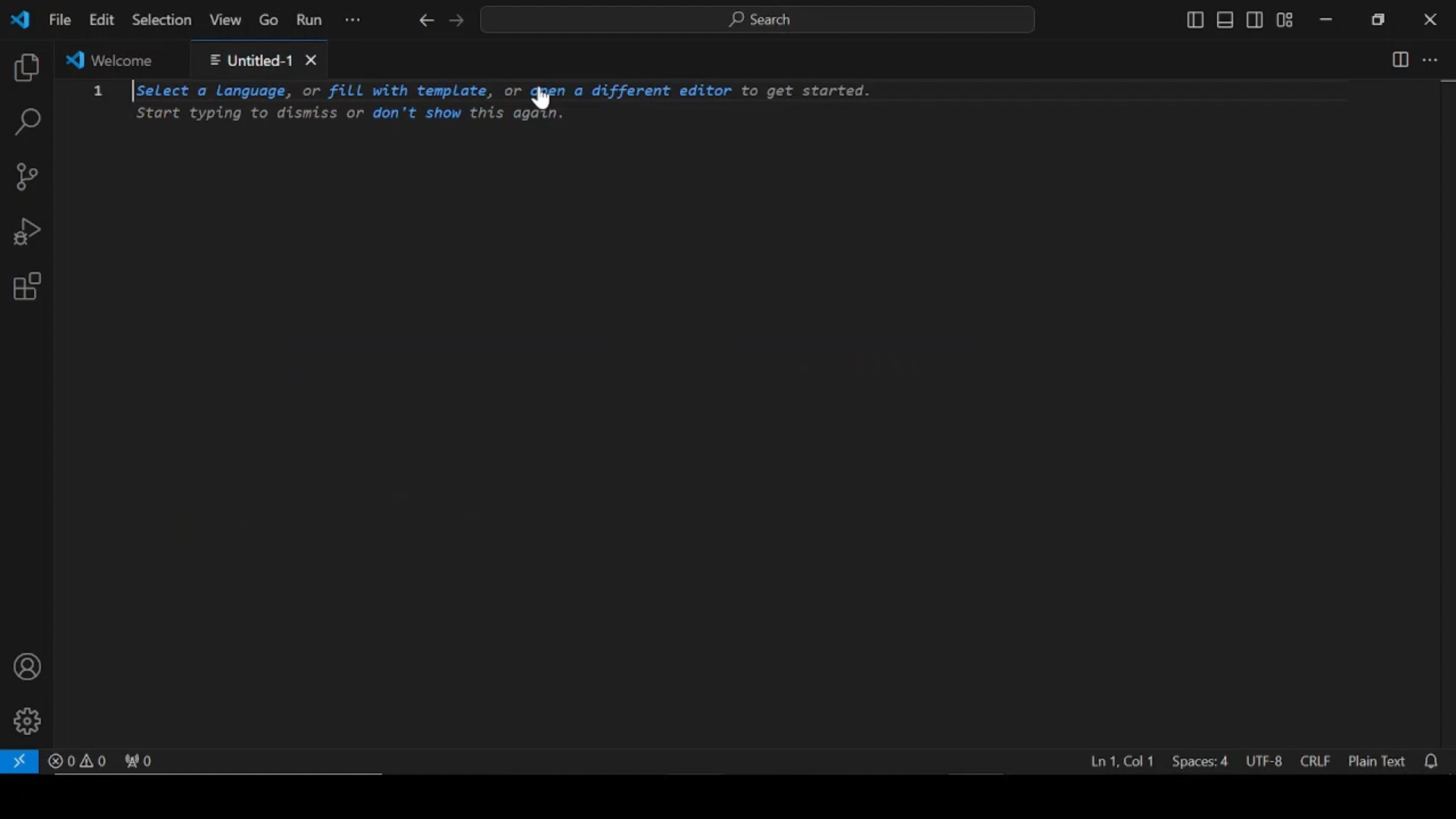 This screenshot has height=819, width=1456. I want to click on split editor right split editor down, so click(1401, 58).